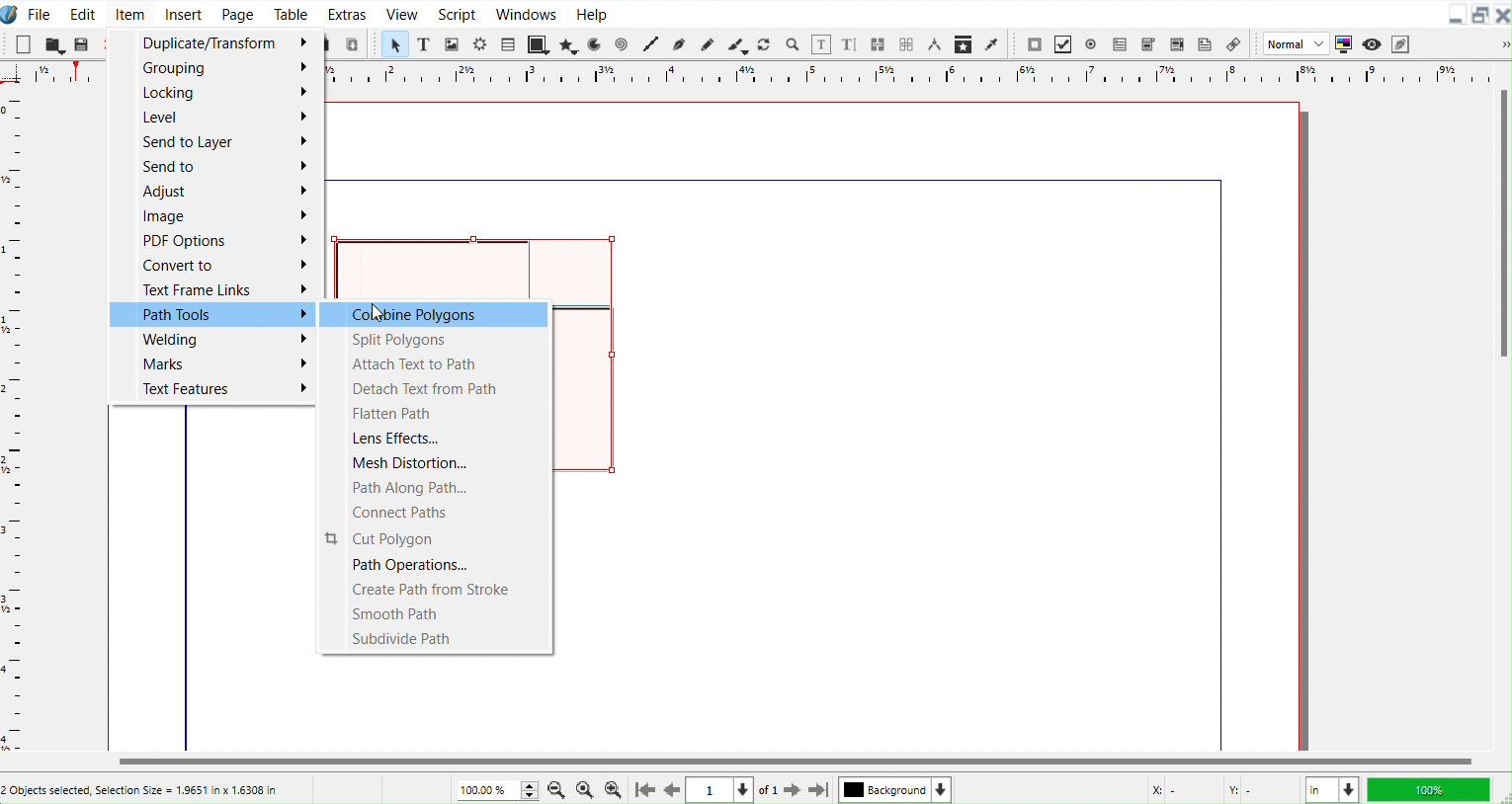 This screenshot has width=1512, height=804. Describe the element at coordinates (214, 192) in the screenshot. I see `Adjust ` at that location.